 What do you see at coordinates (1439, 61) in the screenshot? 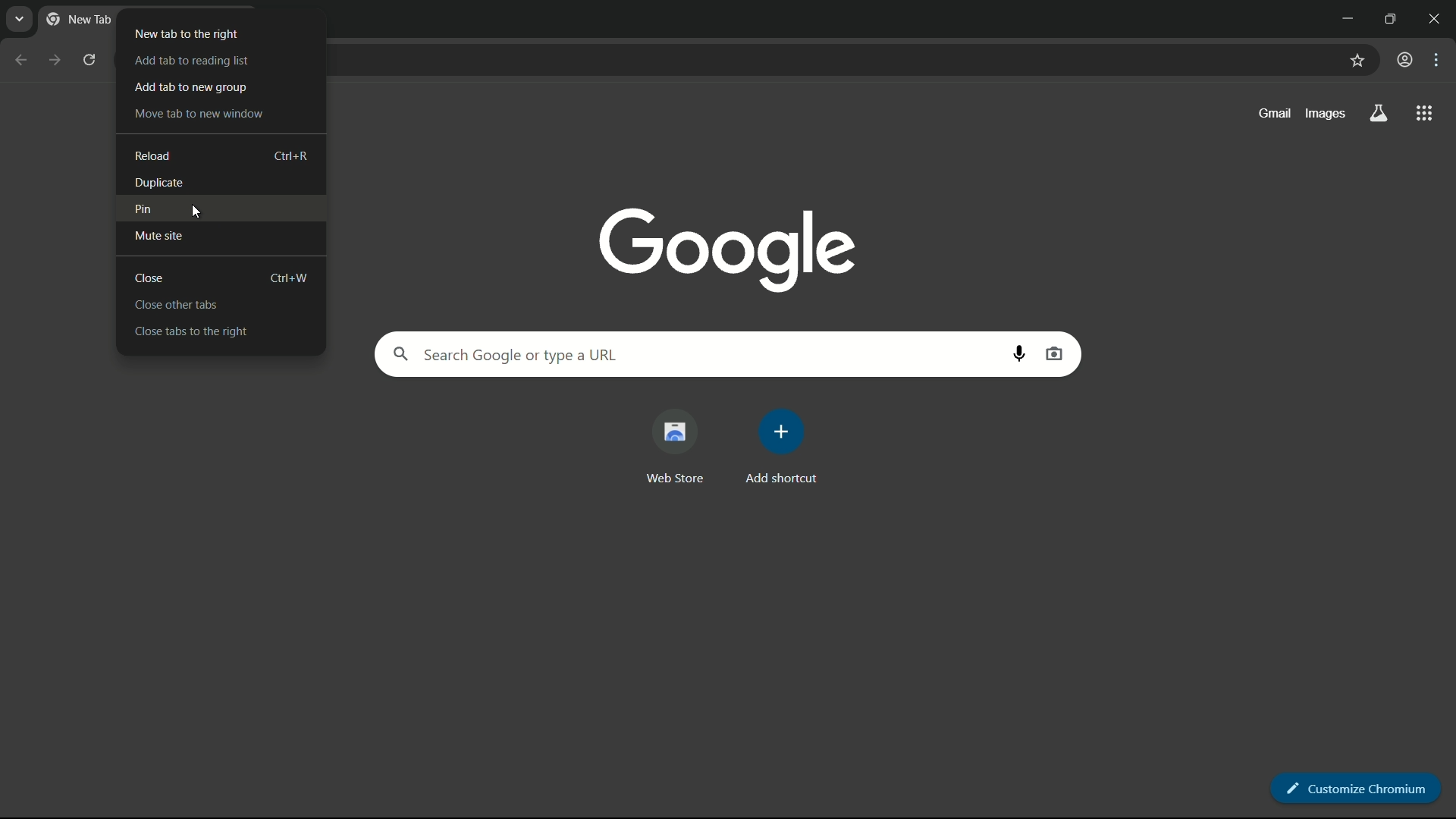
I see `customize` at bounding box center [1439, 61].